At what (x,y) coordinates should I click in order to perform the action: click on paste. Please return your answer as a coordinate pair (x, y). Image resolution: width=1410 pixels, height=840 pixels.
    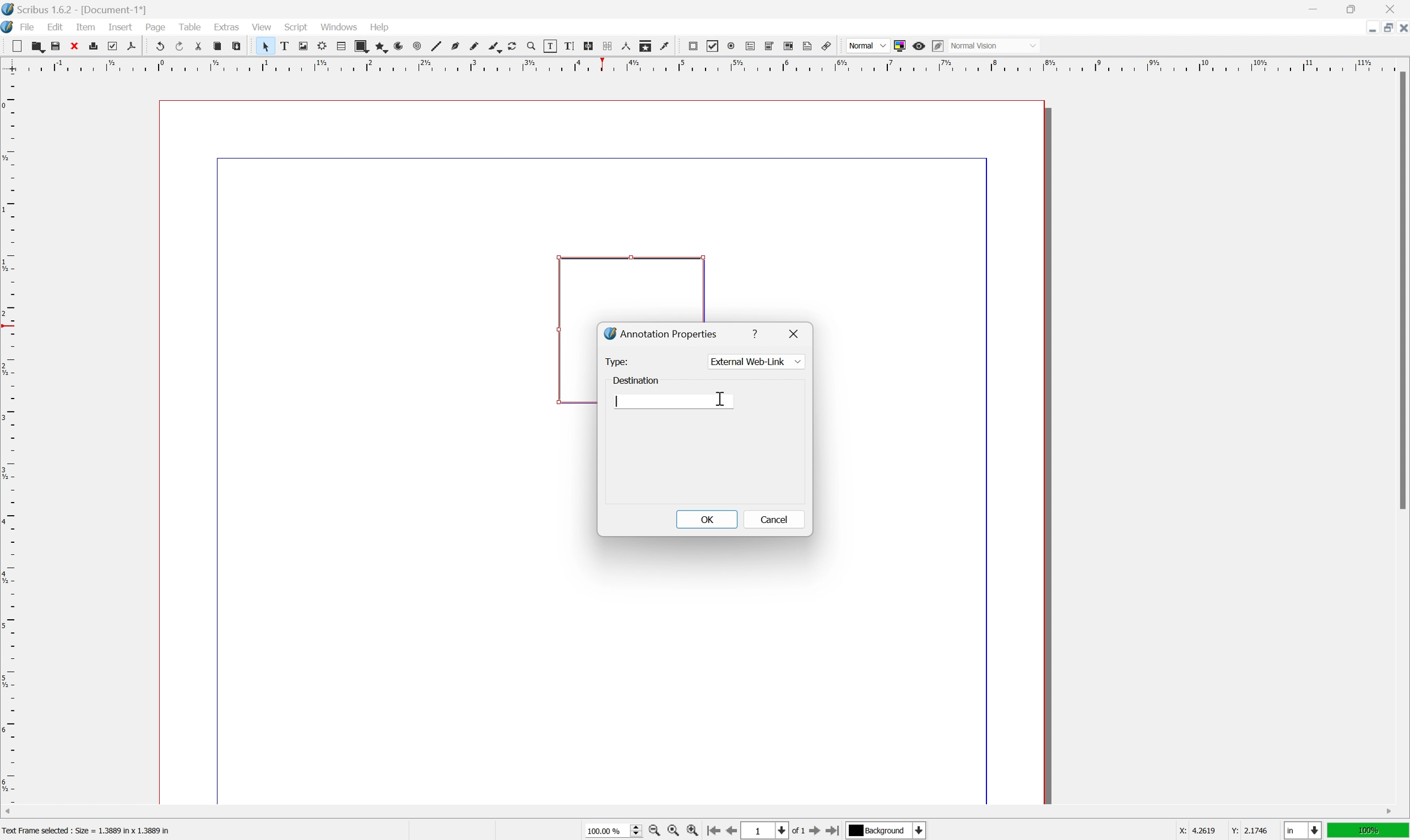
    Looking at the image, I should click on (236, 46).